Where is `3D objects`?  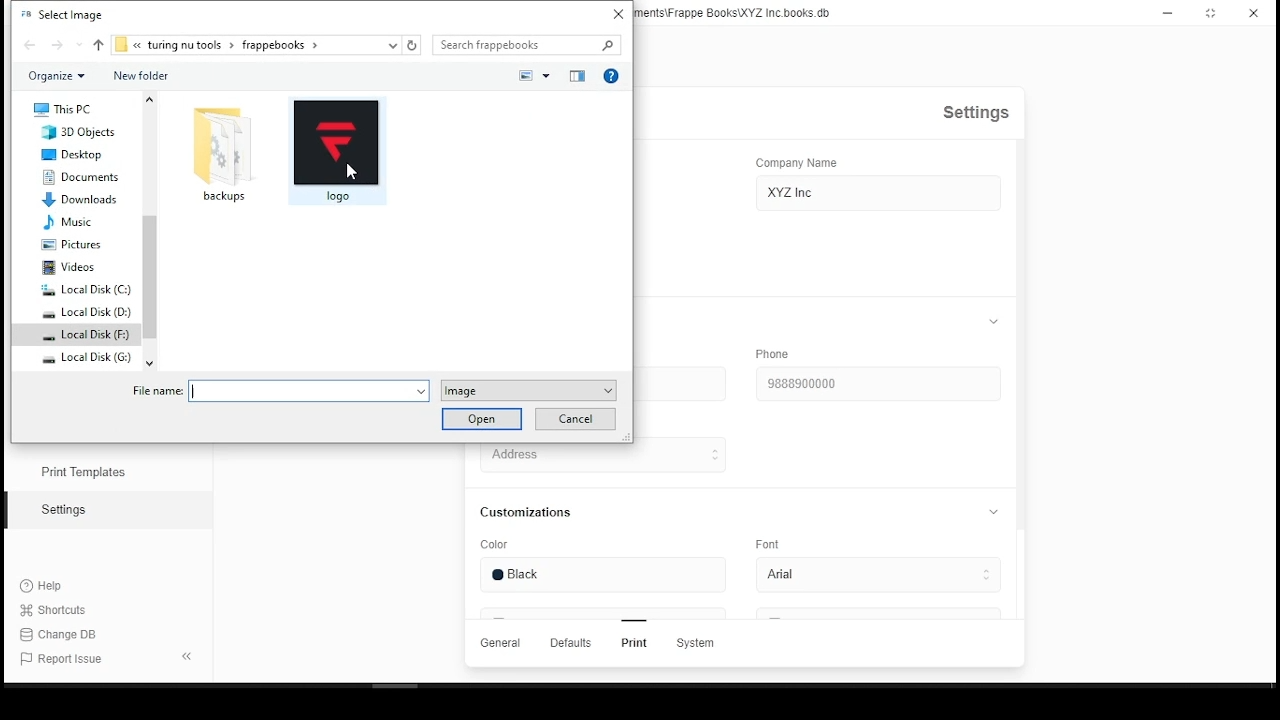 3D objects is located at coordinates (73, 132).